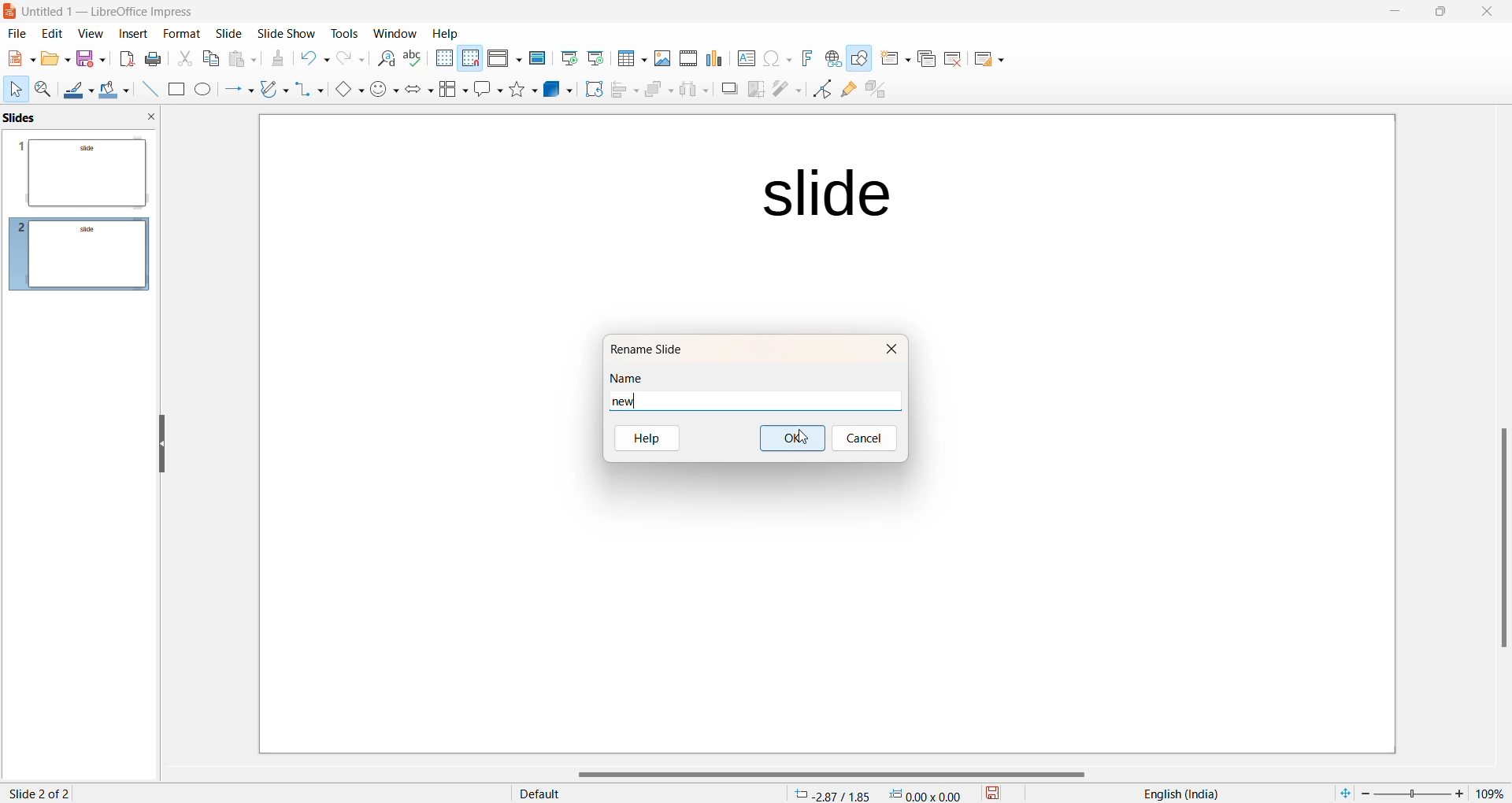 This screenshot has height=803, width=1512. What do you see at coordinates (876, 89) in the screenshot?
I see `toggle extrusion` at bounding box center [876, 89].